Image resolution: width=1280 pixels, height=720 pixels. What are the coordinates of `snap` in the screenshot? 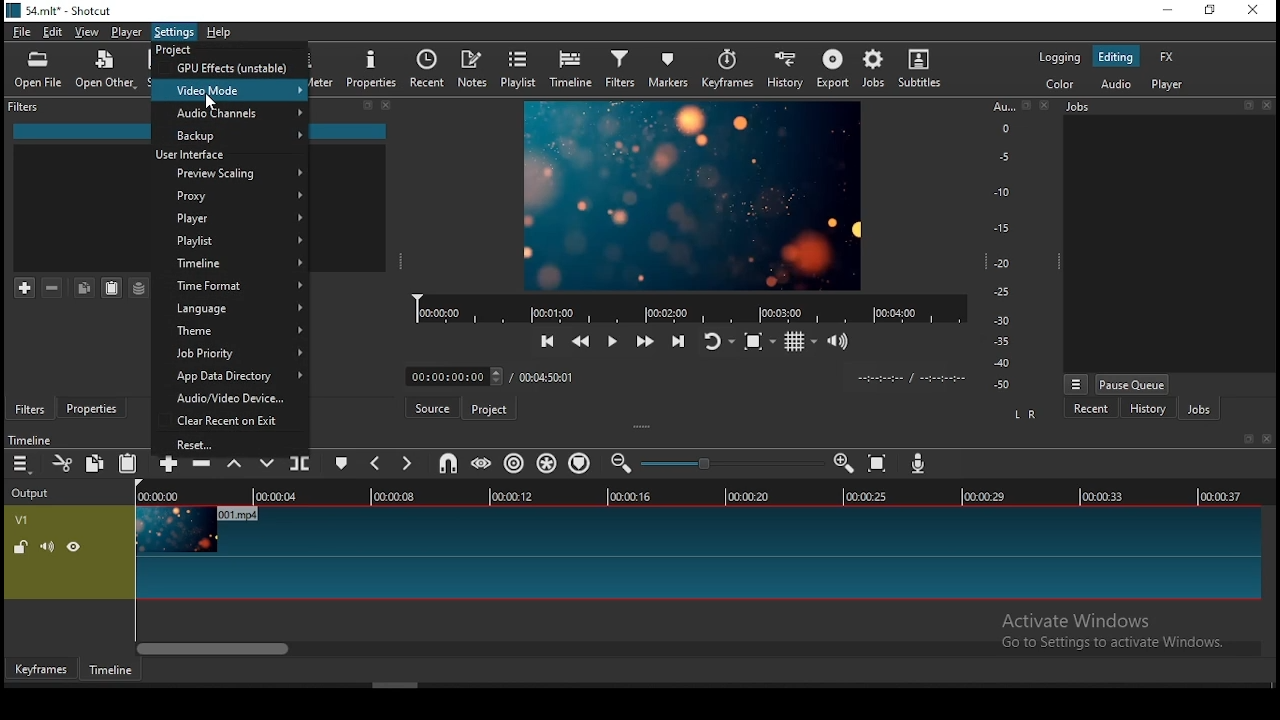 It's located at (448, 463).